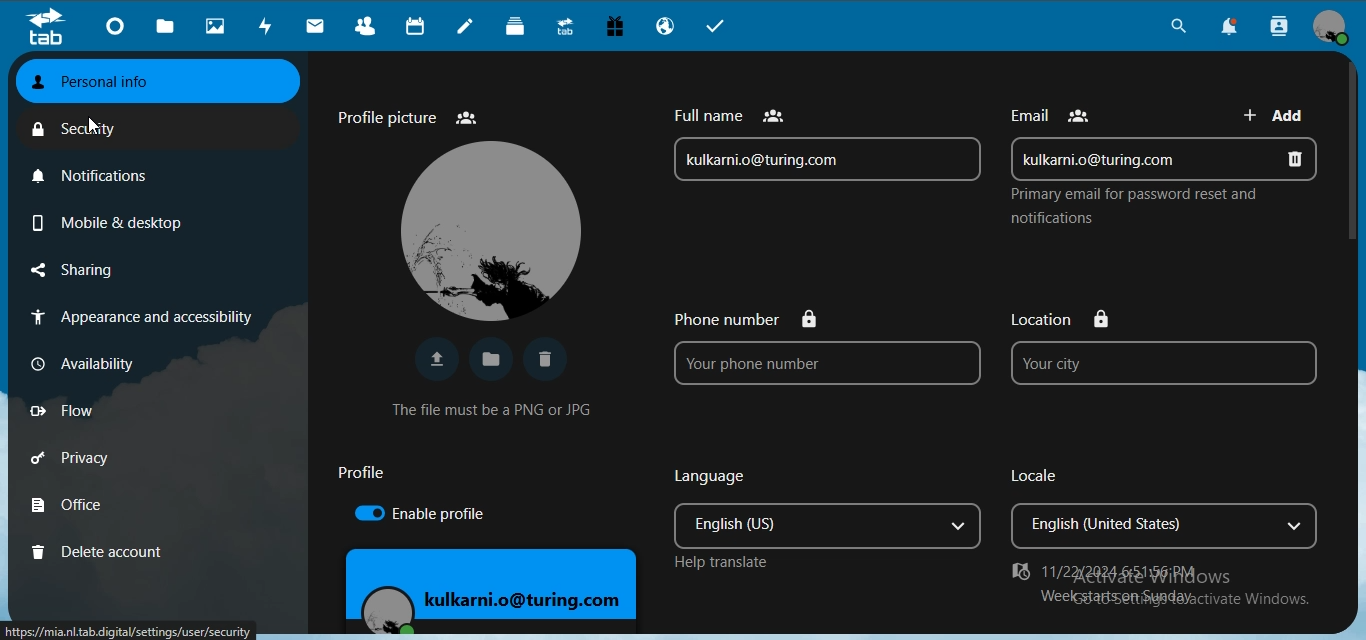 Image resolution: width=1366 pixels, height=640 pixels. Describe the element at coordinates (826, 365) in the screenshot. I see `your phone number` at that location.